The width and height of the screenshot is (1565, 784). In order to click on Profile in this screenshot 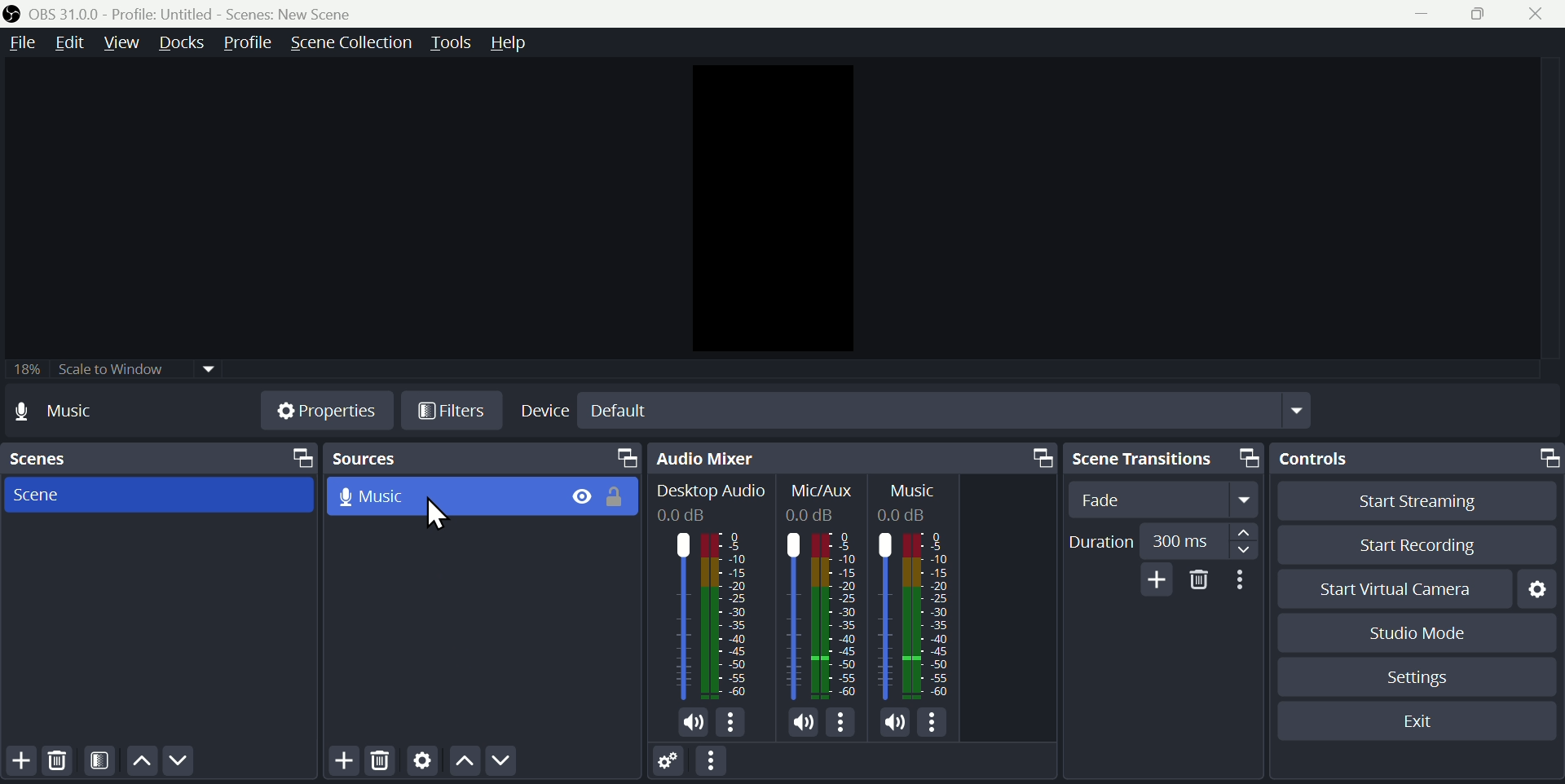, I will do `click(247, 41)`.